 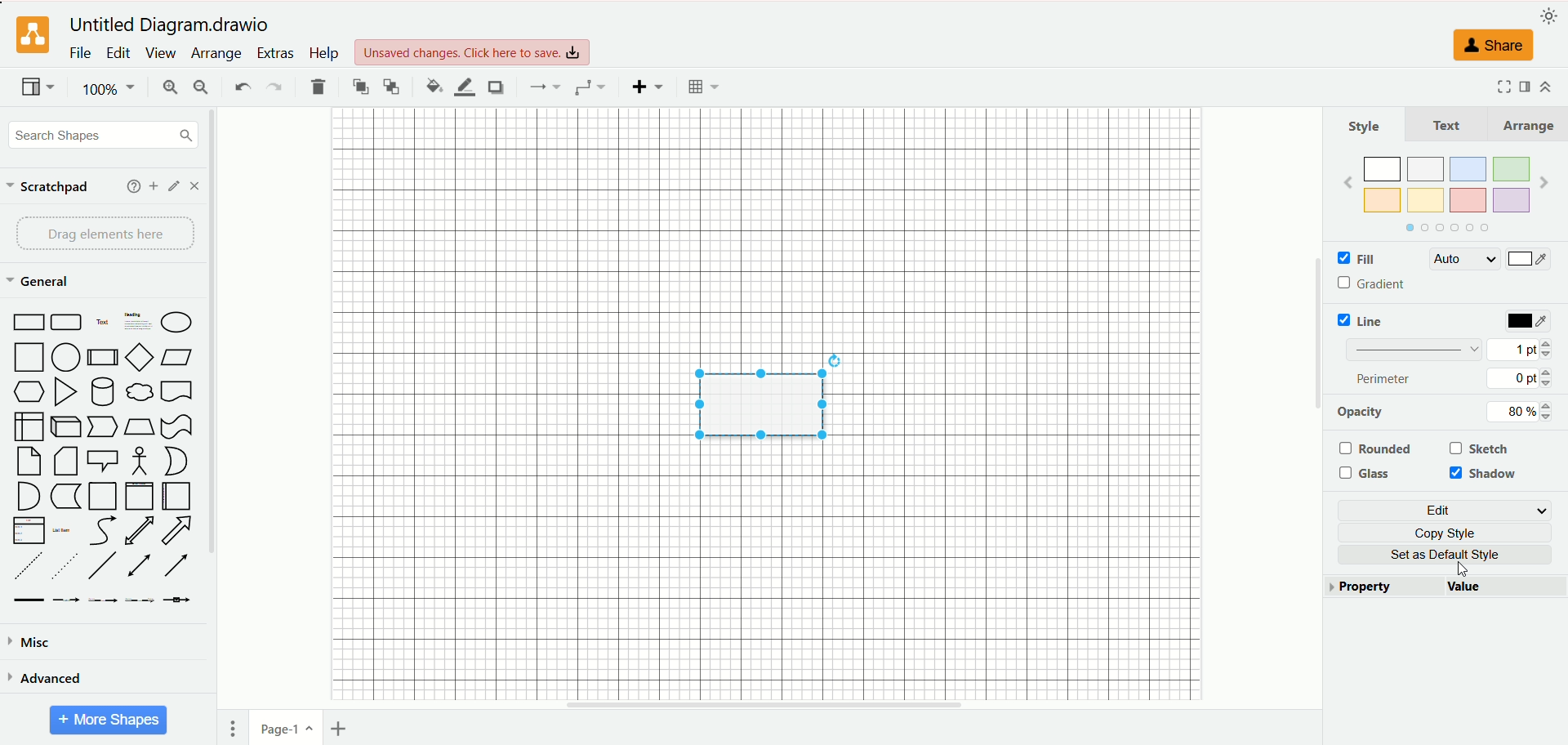 What do you see at coordinates (216, 409) in the screenshot?
I see `vertical scroll bar` at bounding box center [216, 409].